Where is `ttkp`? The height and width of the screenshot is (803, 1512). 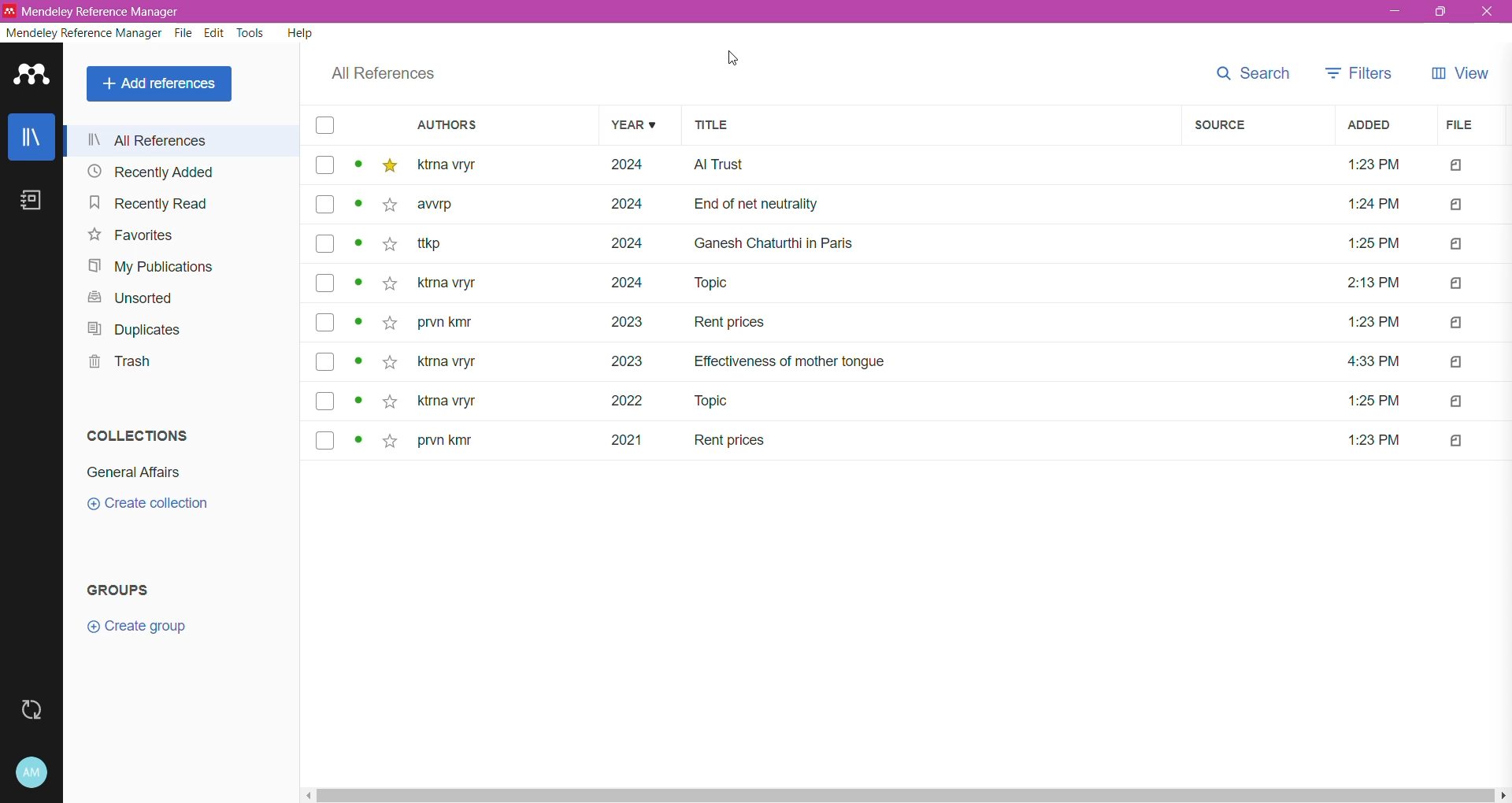
ttkp is located at coordinates (439, 243).